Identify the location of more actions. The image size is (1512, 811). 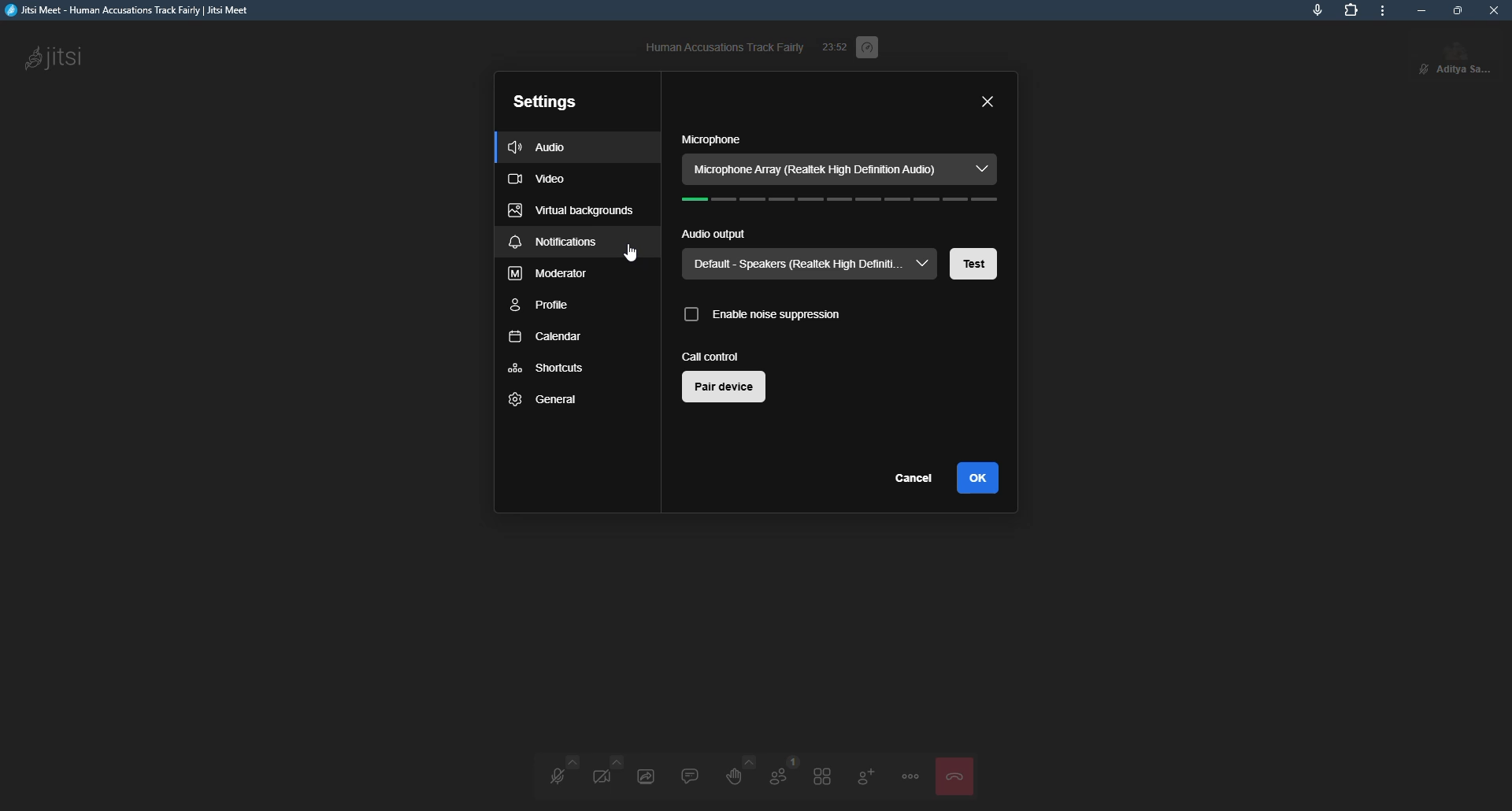
(910, 778).